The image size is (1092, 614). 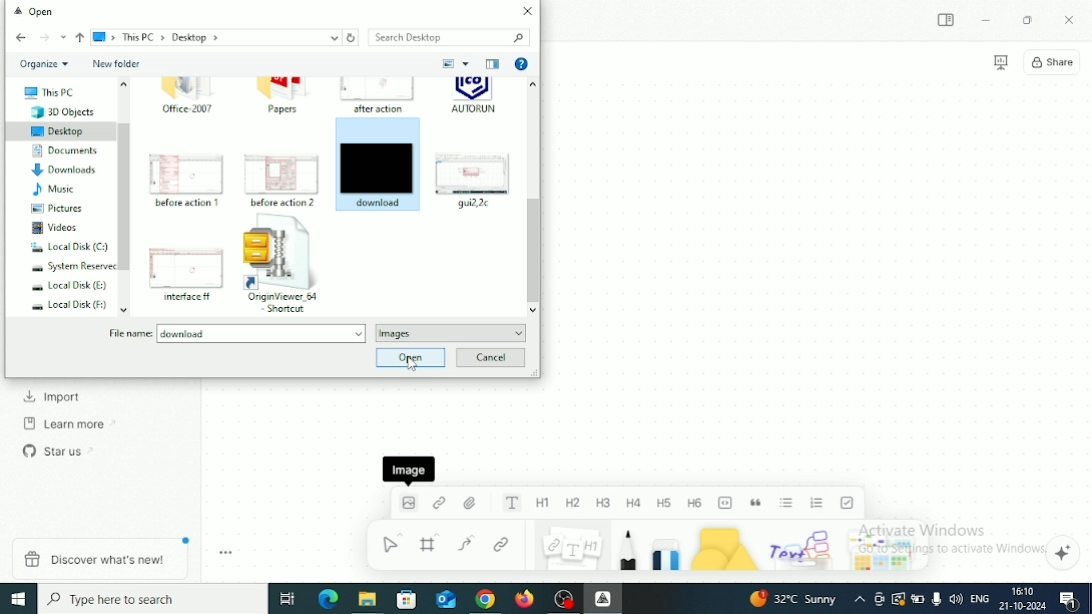 What do you see at coordinates (378, 164) in the screenshot?
I see `download` at bounding box center [378, 164].